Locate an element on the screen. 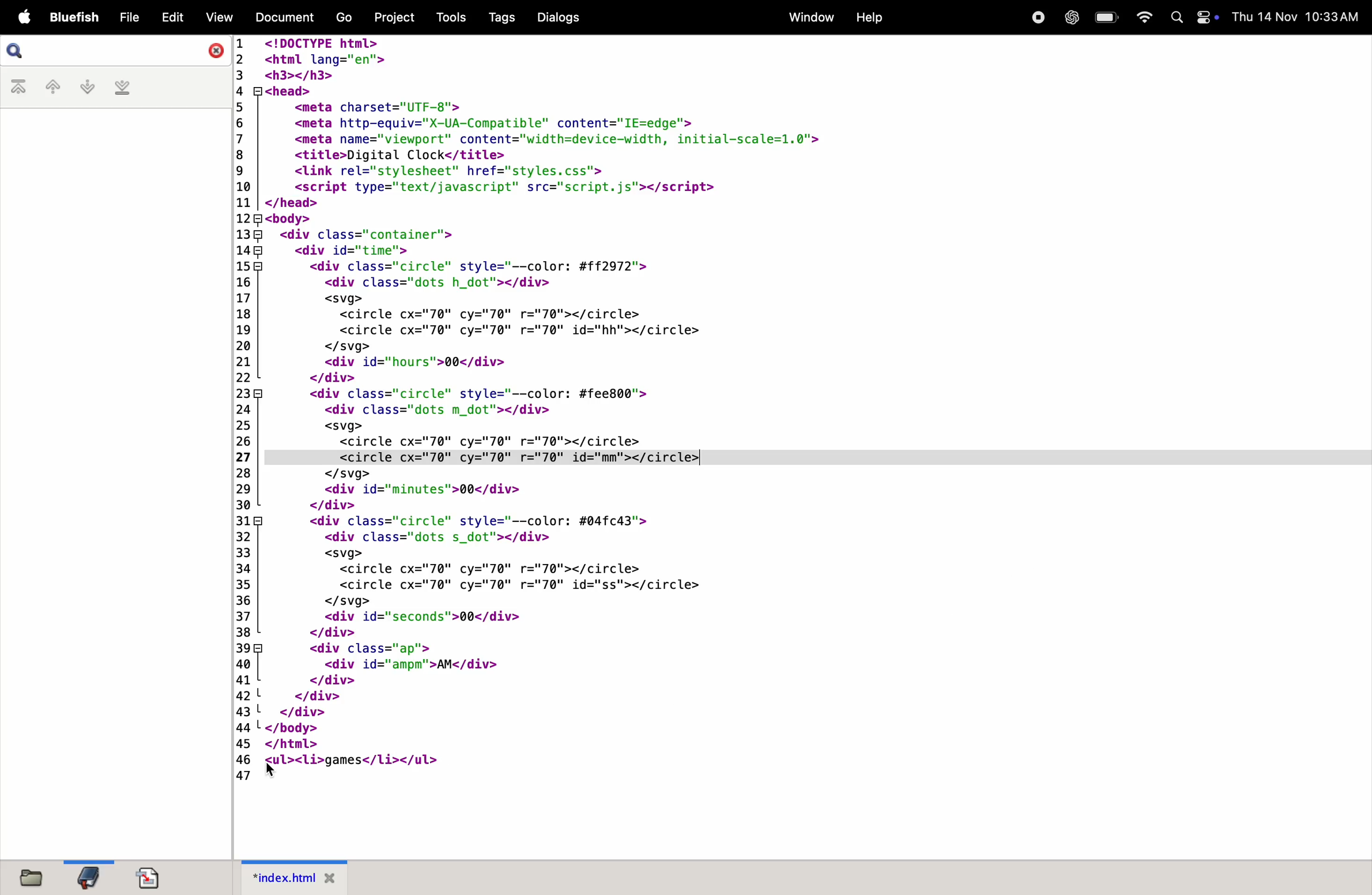  previous bookmark is located at coordinates (49, 87).